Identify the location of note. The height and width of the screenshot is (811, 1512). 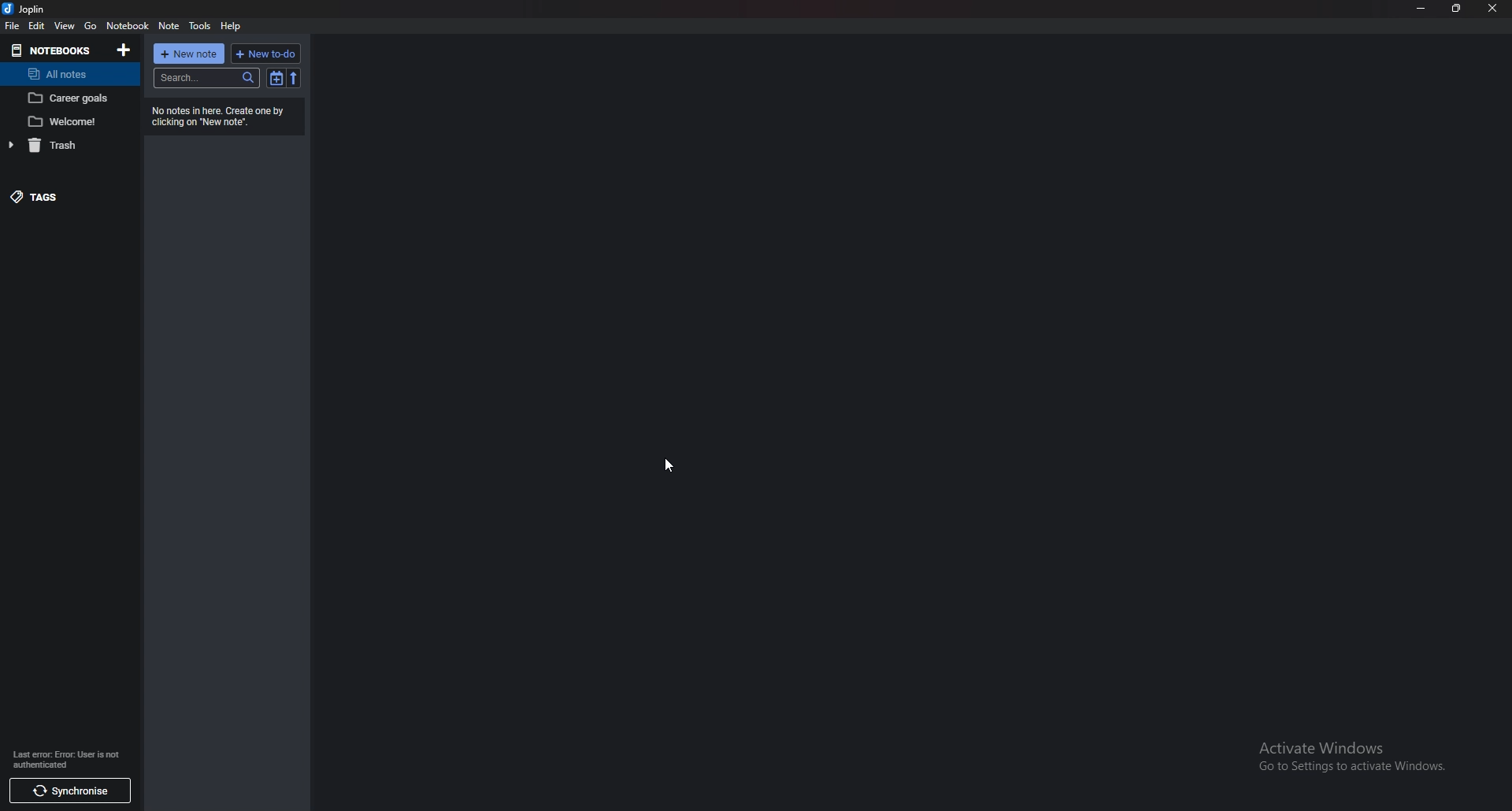
(67, 121).